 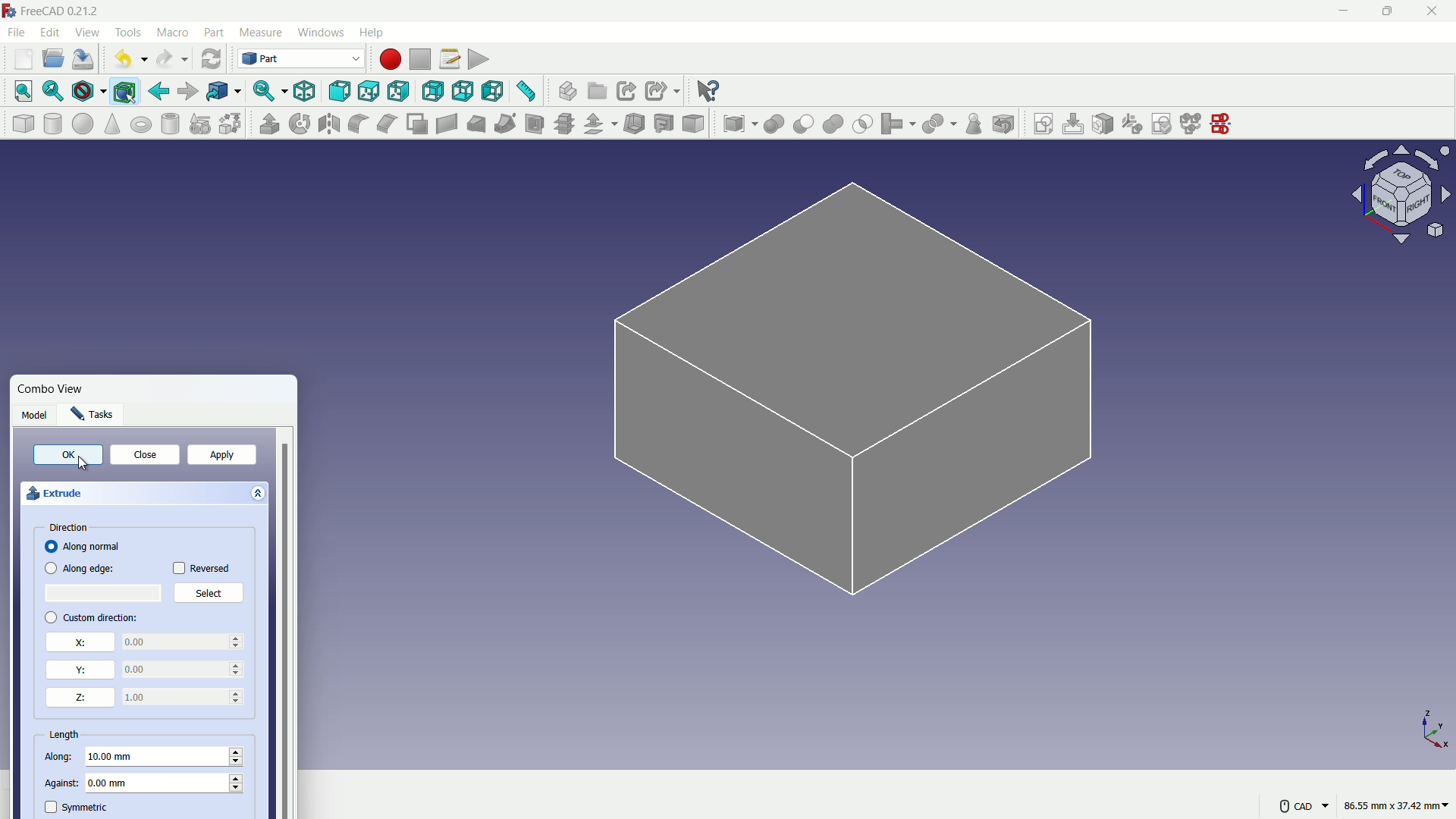 What do you see at coordinates (598, 92) in the screenshot?
I see `create group` at bounding box center [598, 92].